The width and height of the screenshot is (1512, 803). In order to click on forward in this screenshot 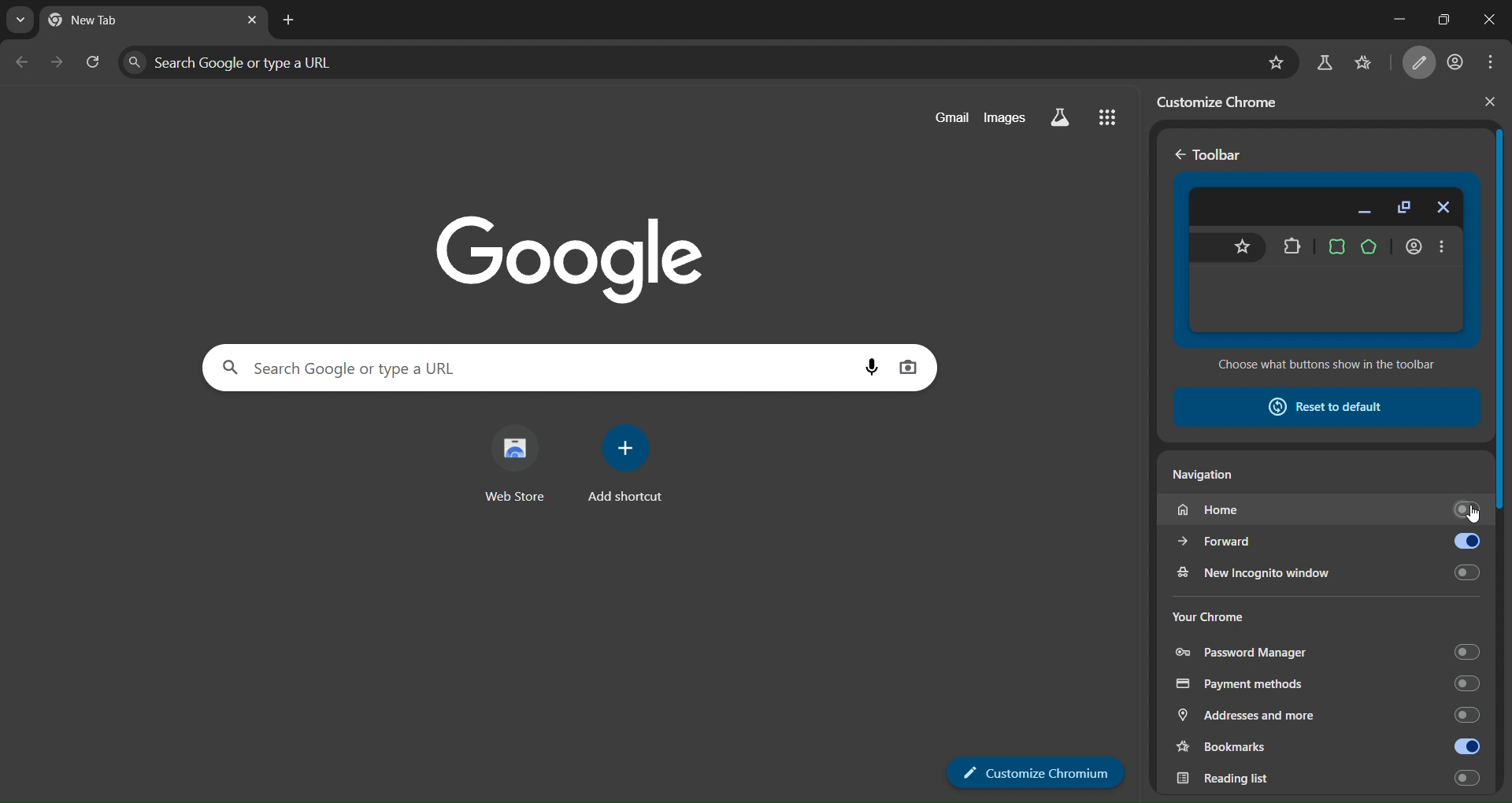, I will do `click(1256, 543)`.